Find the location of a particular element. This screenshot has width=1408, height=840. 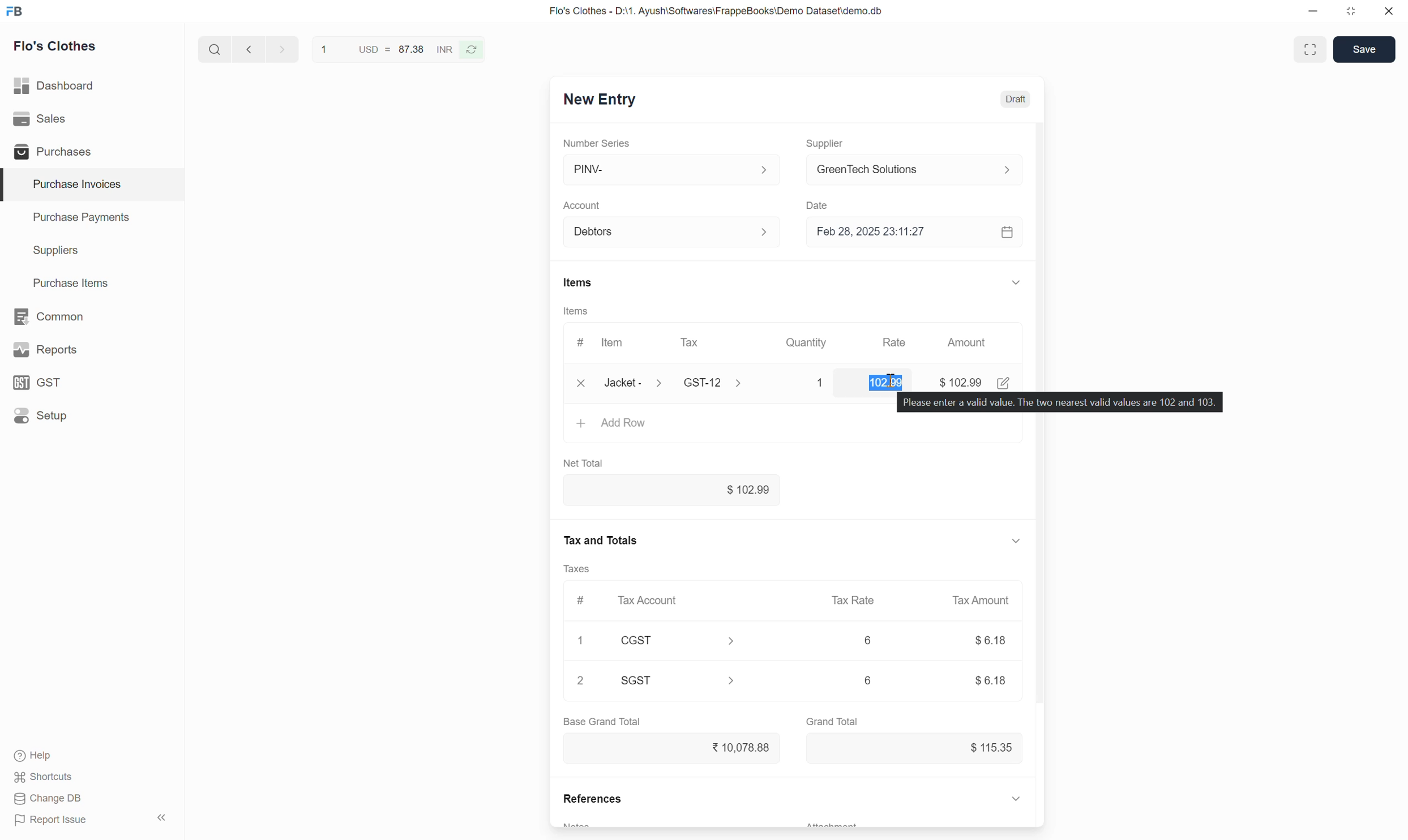

Tax Amount is located at coordinates (982, 601).